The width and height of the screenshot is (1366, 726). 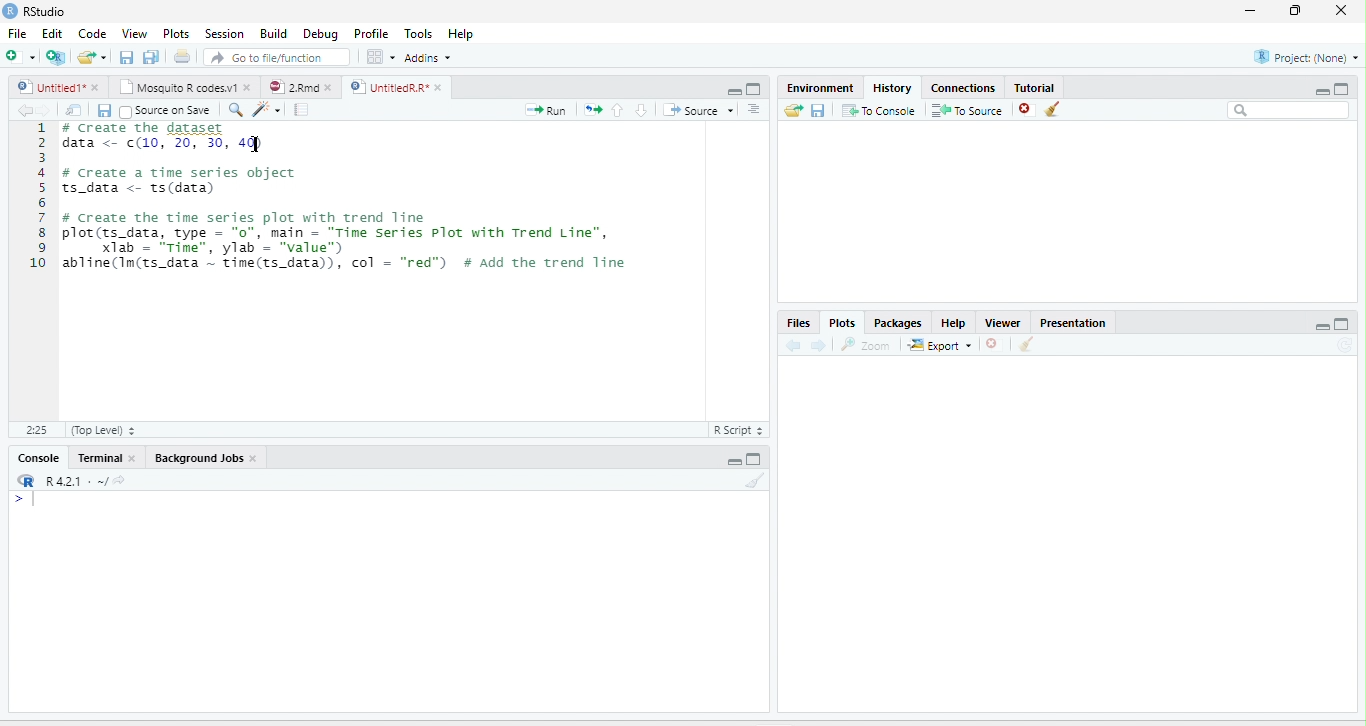 I want to click on Remove current plot, so click(x=996, y=343).